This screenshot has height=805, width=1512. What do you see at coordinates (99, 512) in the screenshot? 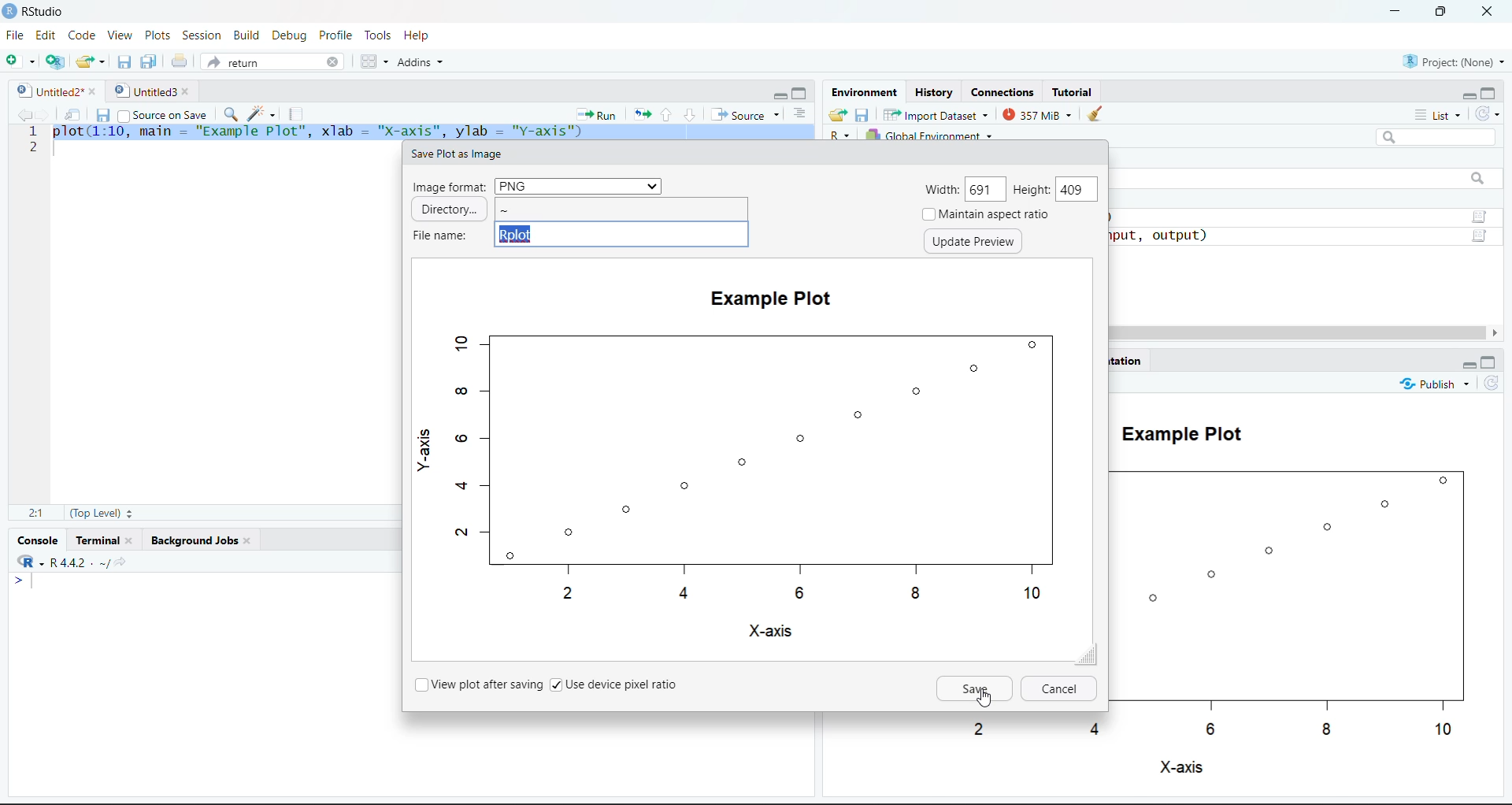
I see `(Top Level):` at bounding box center [99, 512].